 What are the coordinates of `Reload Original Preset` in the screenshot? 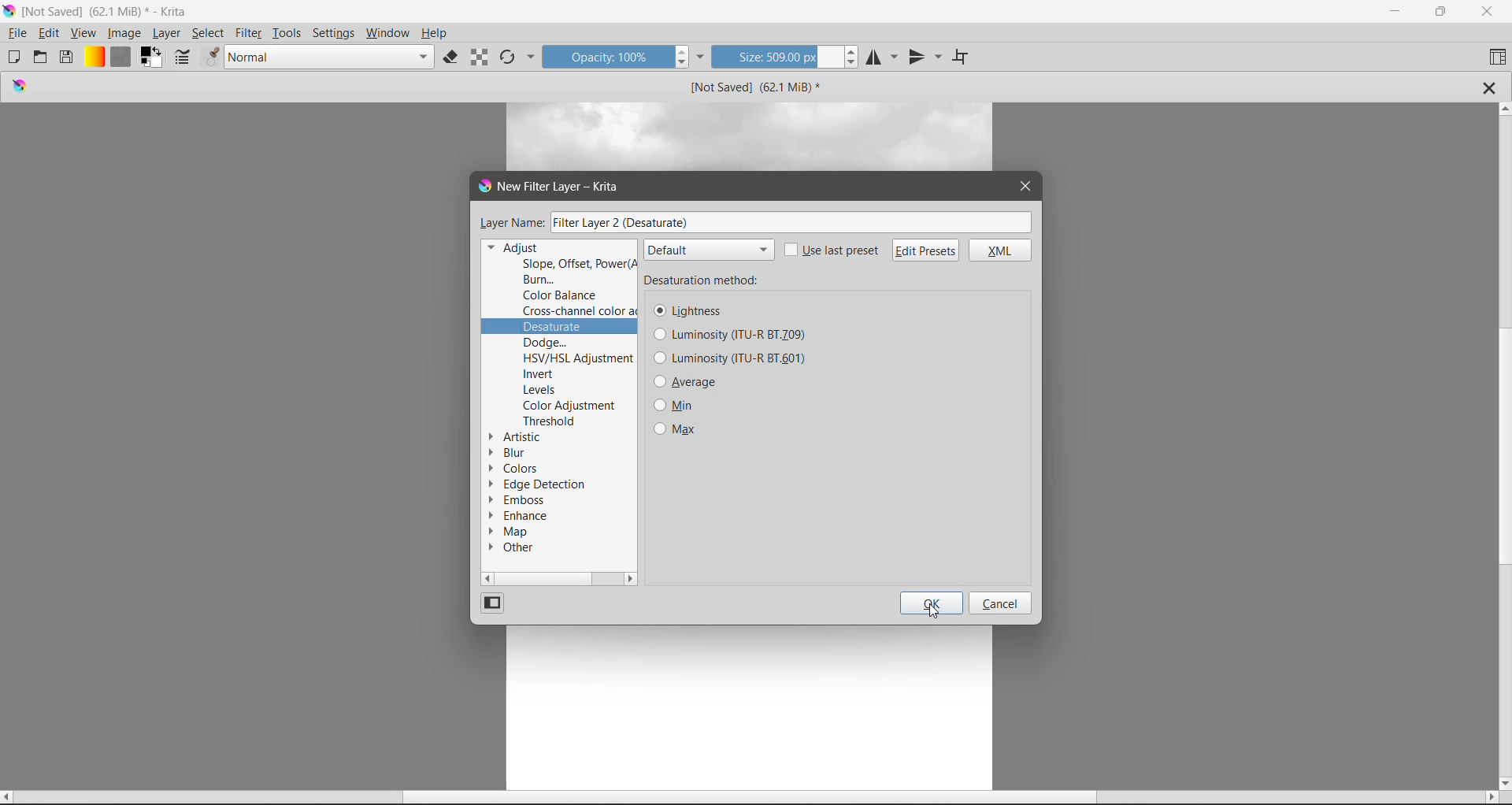 It's located at (509, 57).